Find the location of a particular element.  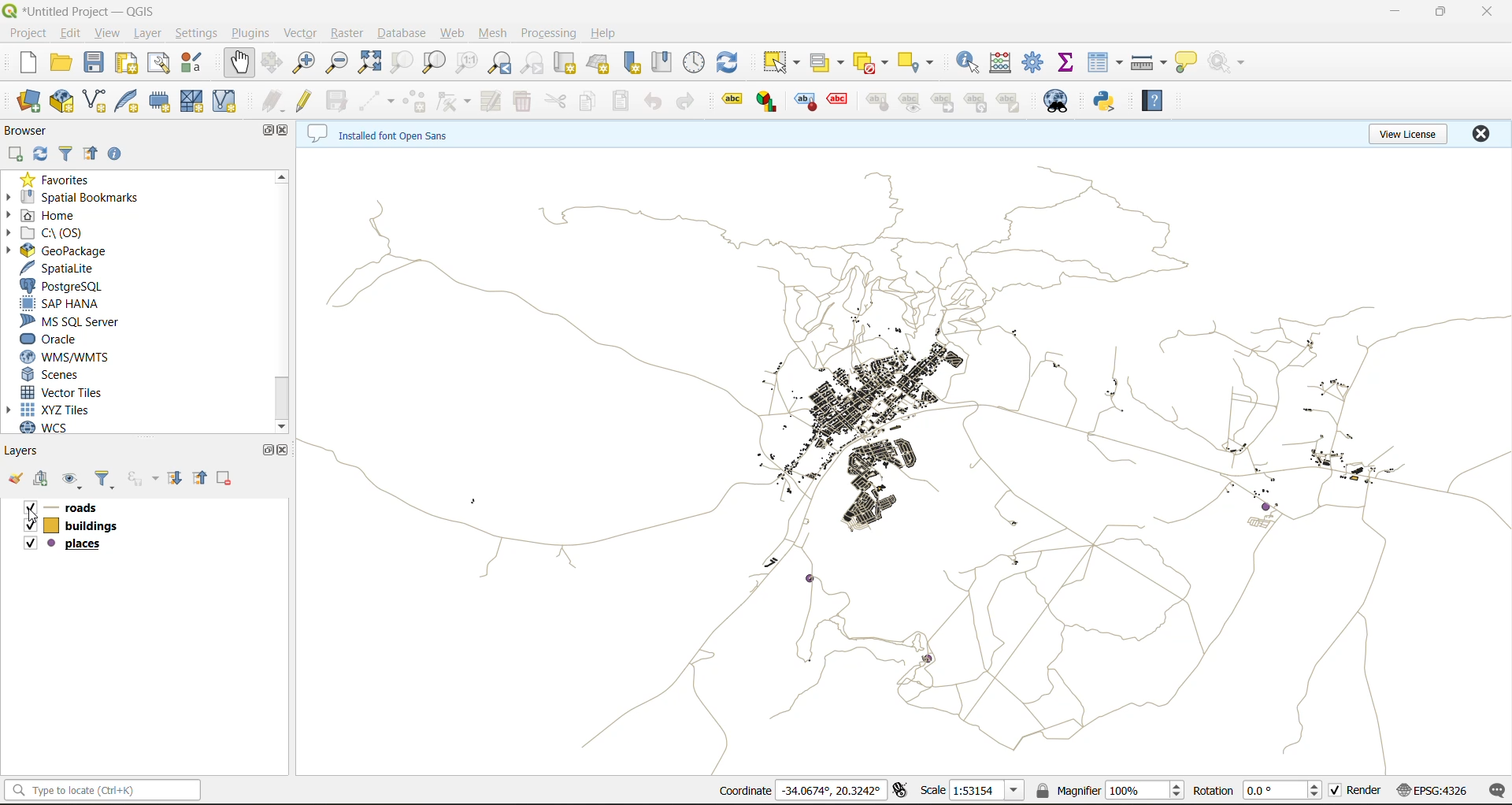

undo is located at coordinates (655, 106).